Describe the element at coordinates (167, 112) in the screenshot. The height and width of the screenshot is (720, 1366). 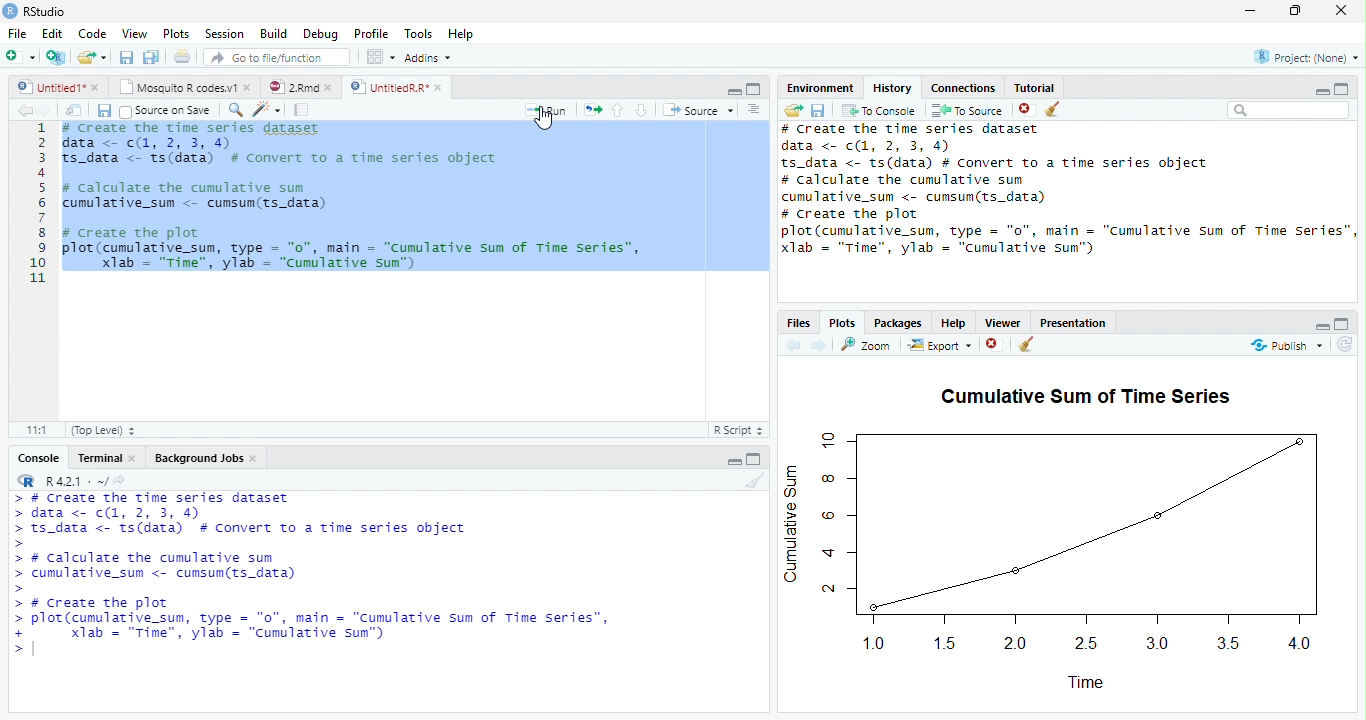
I see `Source on save` at that location.